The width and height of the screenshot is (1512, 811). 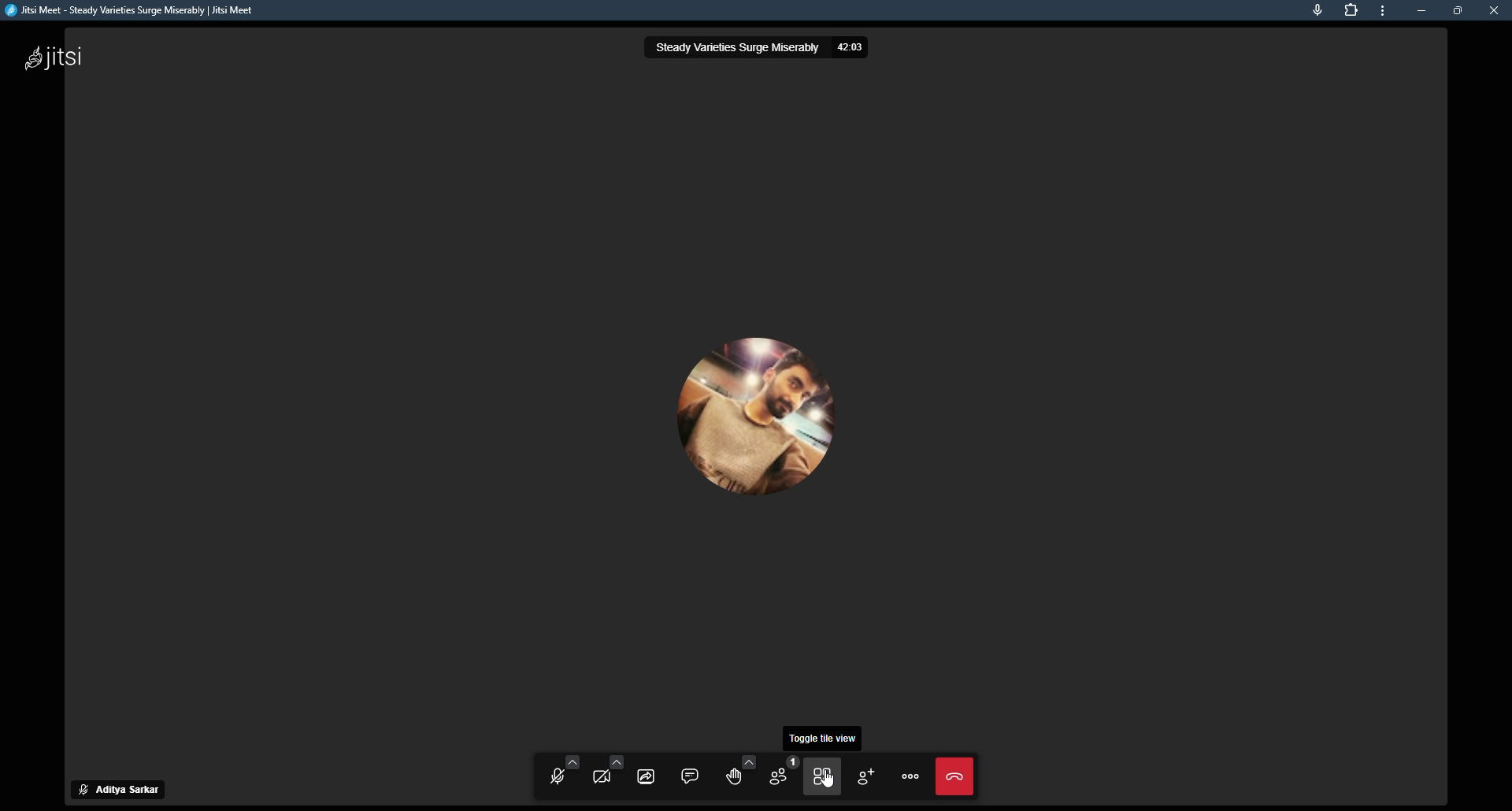 I want to click on end call, so click(x=956, y=778).